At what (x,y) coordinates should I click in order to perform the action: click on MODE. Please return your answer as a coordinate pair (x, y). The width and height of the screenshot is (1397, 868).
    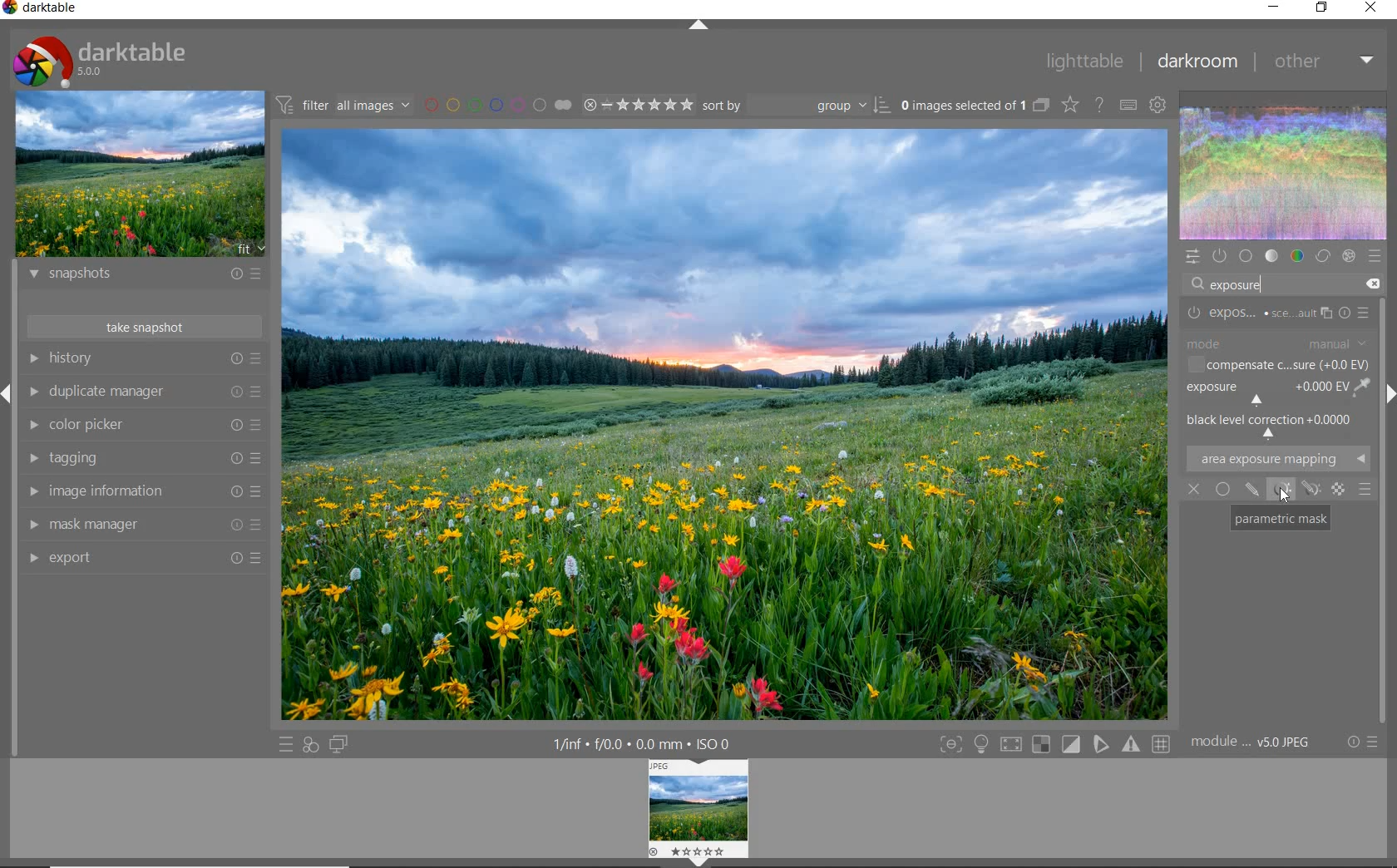
    Looking at the image, I should click on (1279, 342).